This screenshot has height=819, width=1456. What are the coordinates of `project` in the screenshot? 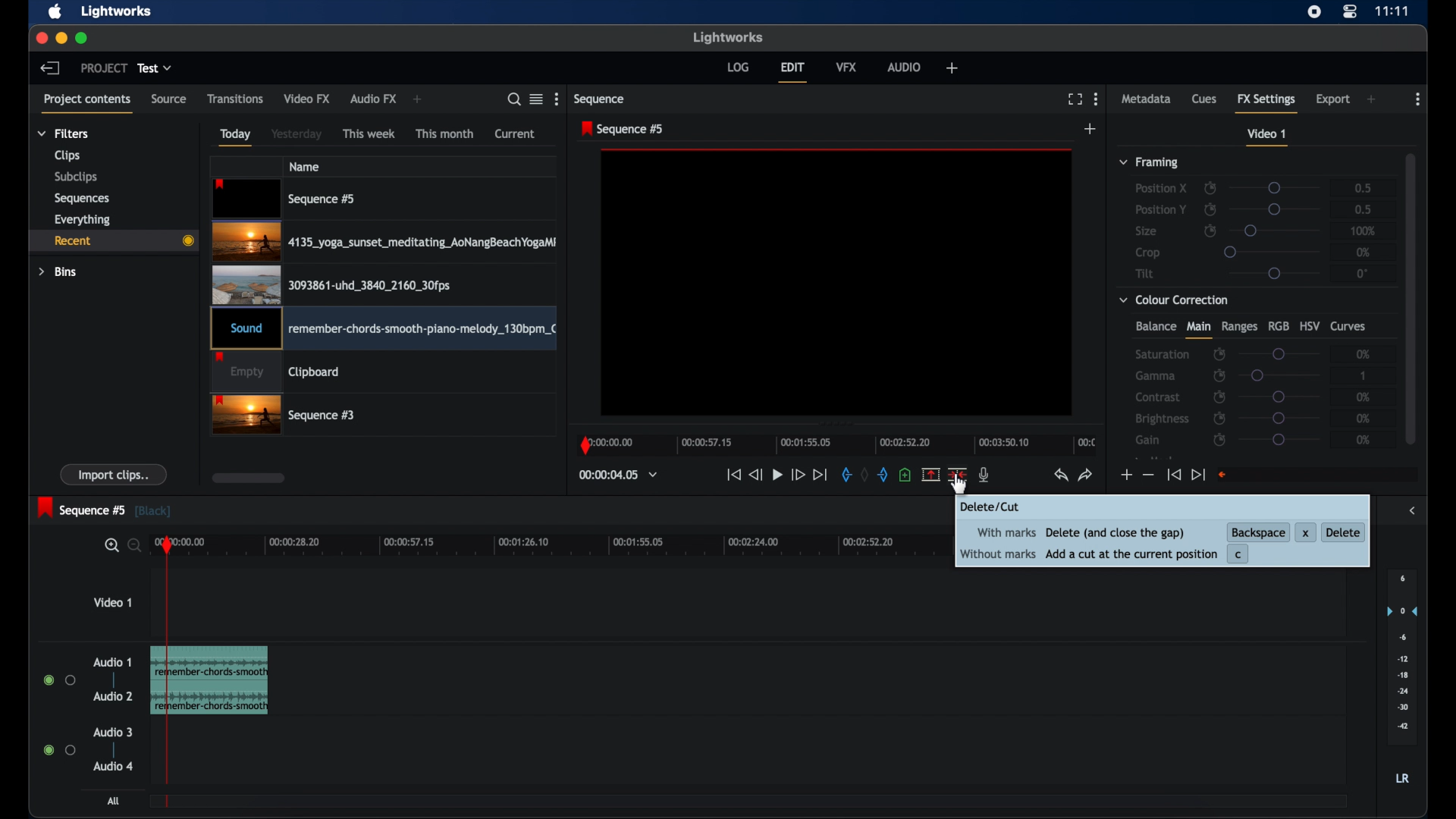 It's located at (103, 67).